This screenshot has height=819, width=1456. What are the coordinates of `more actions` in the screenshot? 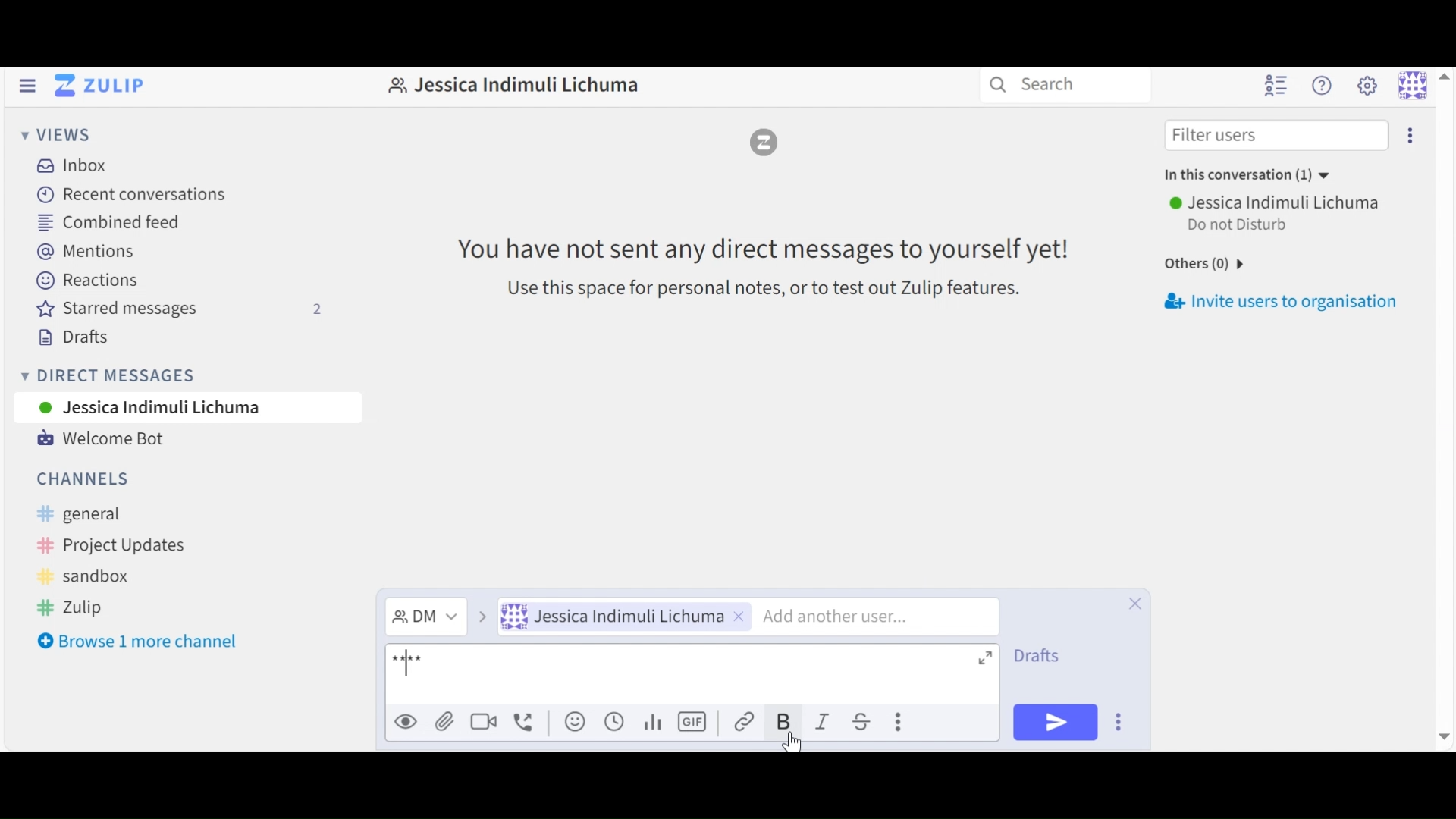 It's located at (900, 723).